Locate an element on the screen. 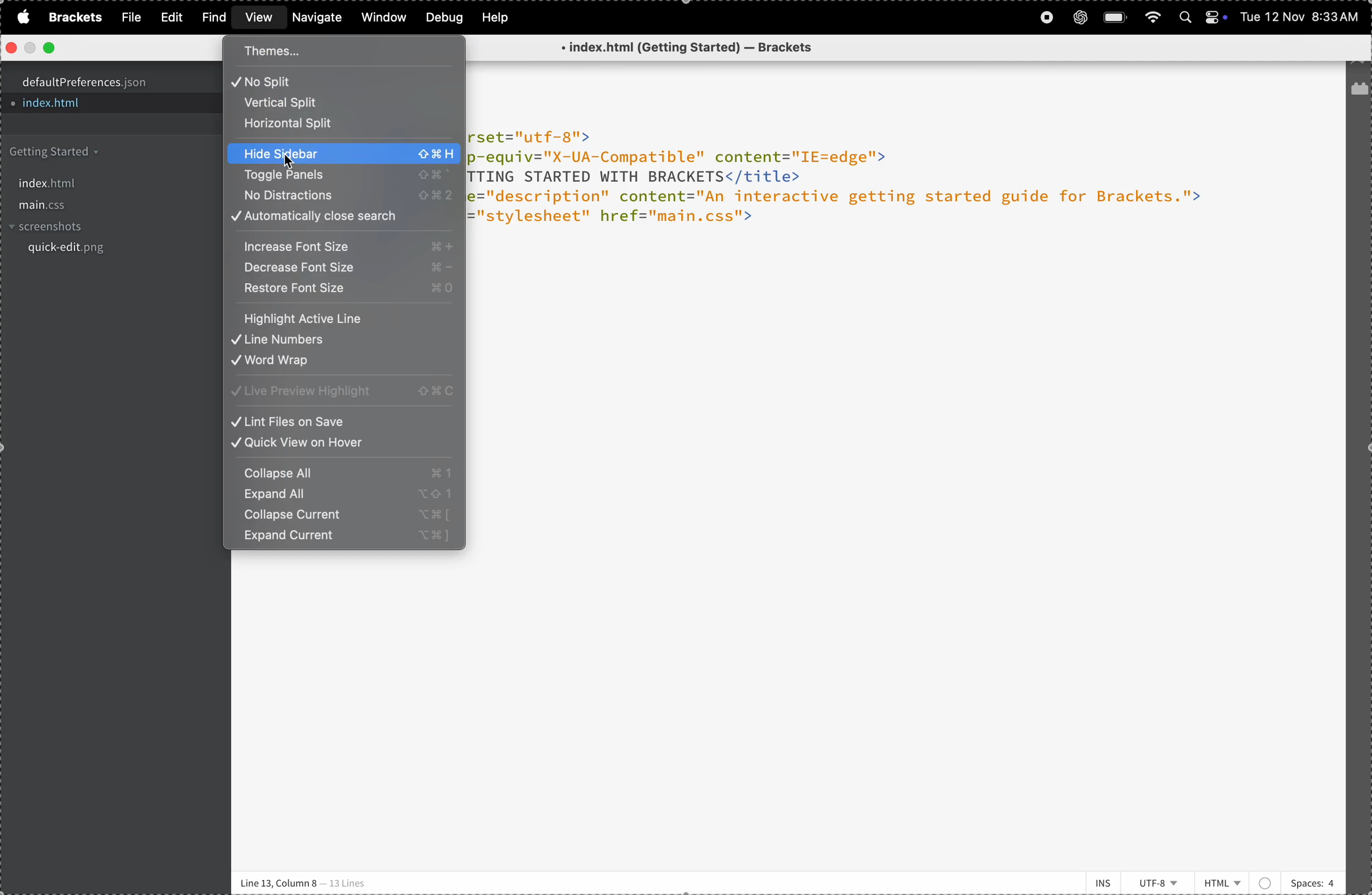  record is located at coordinates (1046, 18).